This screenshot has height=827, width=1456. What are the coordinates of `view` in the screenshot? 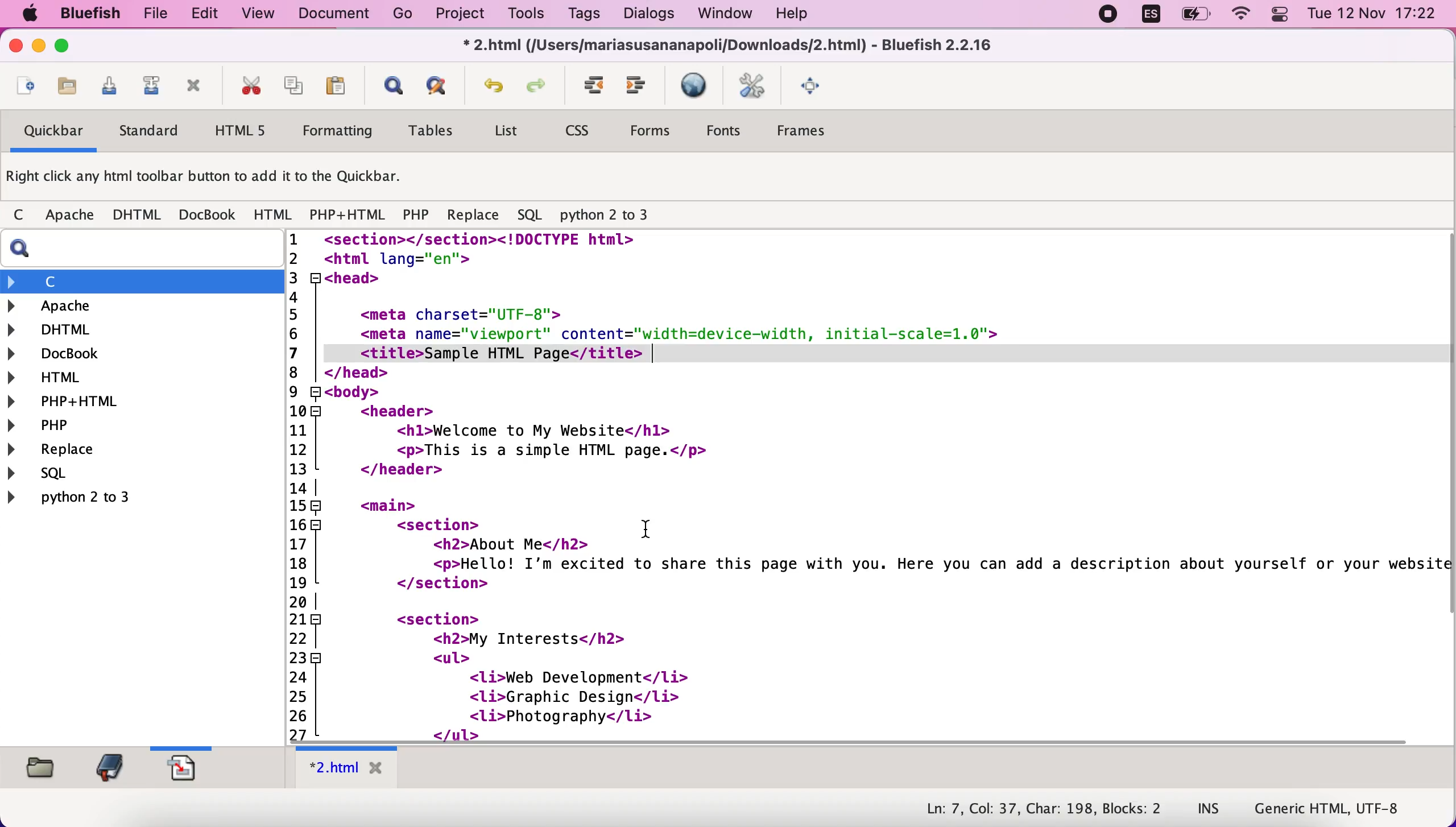 It's located at (258, 16).